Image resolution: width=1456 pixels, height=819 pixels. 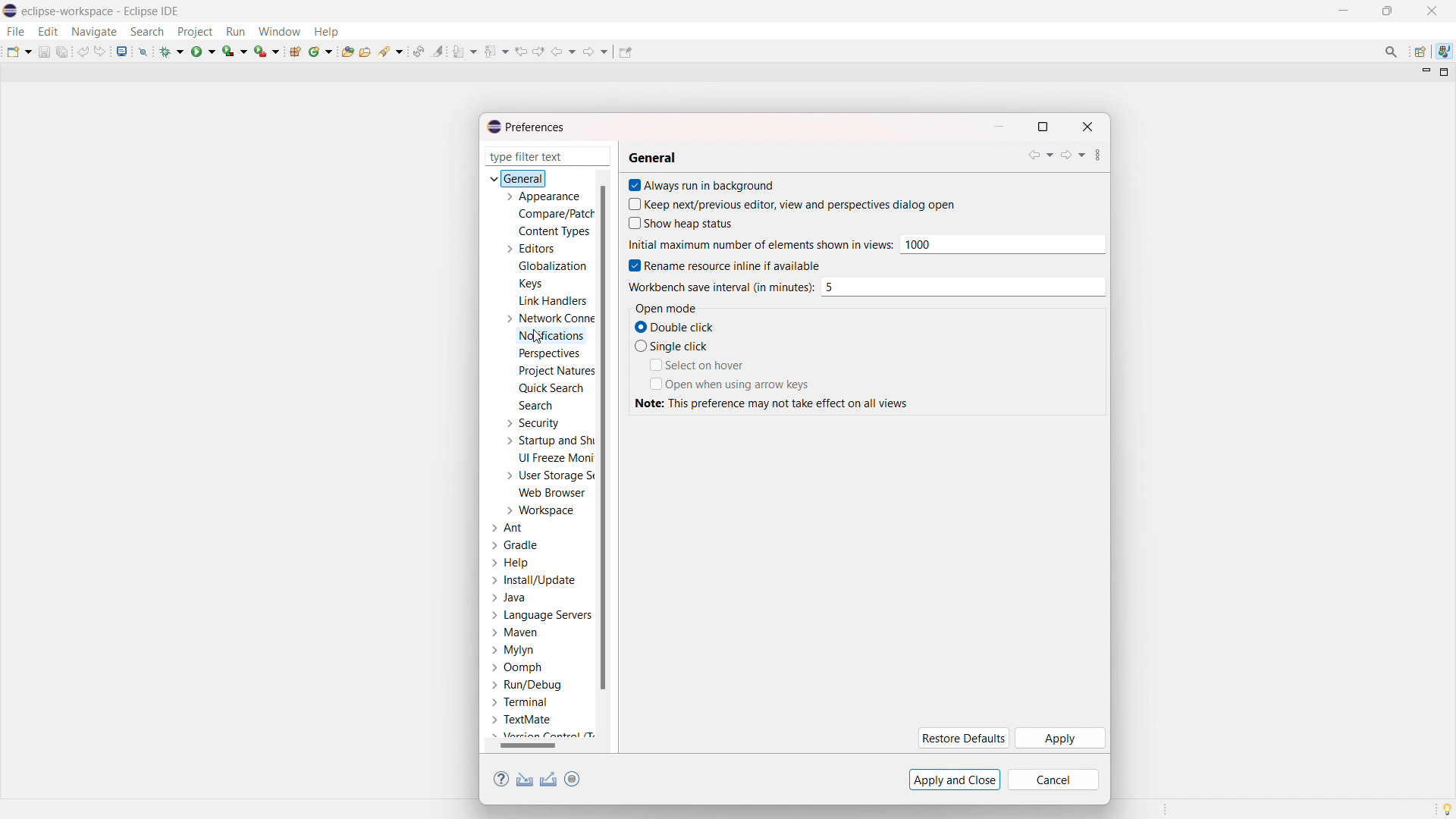 I want to click on close, so click(x=1432, y=11).